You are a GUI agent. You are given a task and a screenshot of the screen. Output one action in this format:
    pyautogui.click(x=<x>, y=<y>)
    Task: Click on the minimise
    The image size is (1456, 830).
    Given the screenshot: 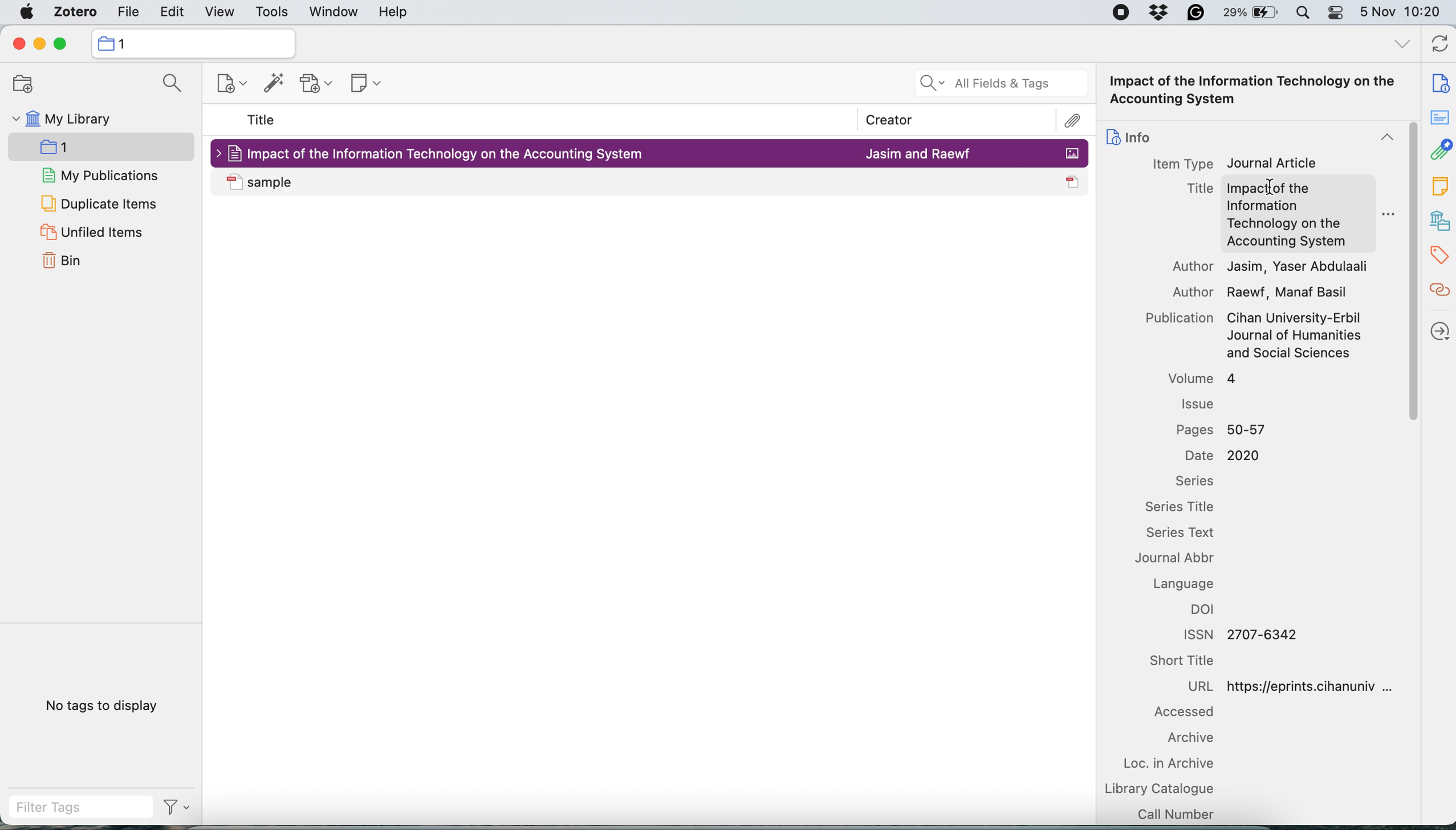 What is the action you would take?
    pyautogui.click(x=40, y=44)
    